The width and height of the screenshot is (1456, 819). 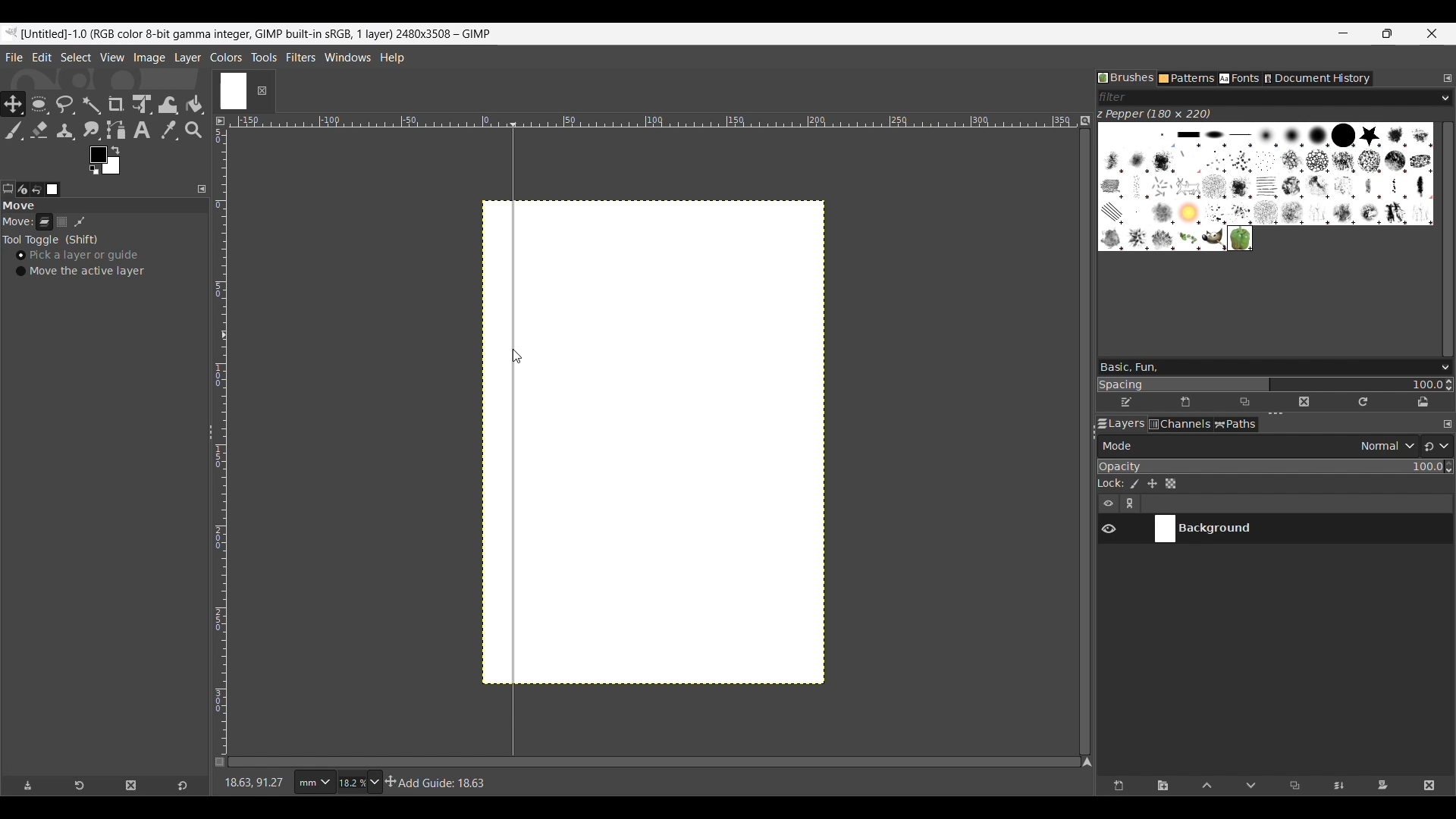 What do you see at coordinates (1257, 446) in the screenshot?
I see `Layer mode options` at bounding box center [1257, 446].